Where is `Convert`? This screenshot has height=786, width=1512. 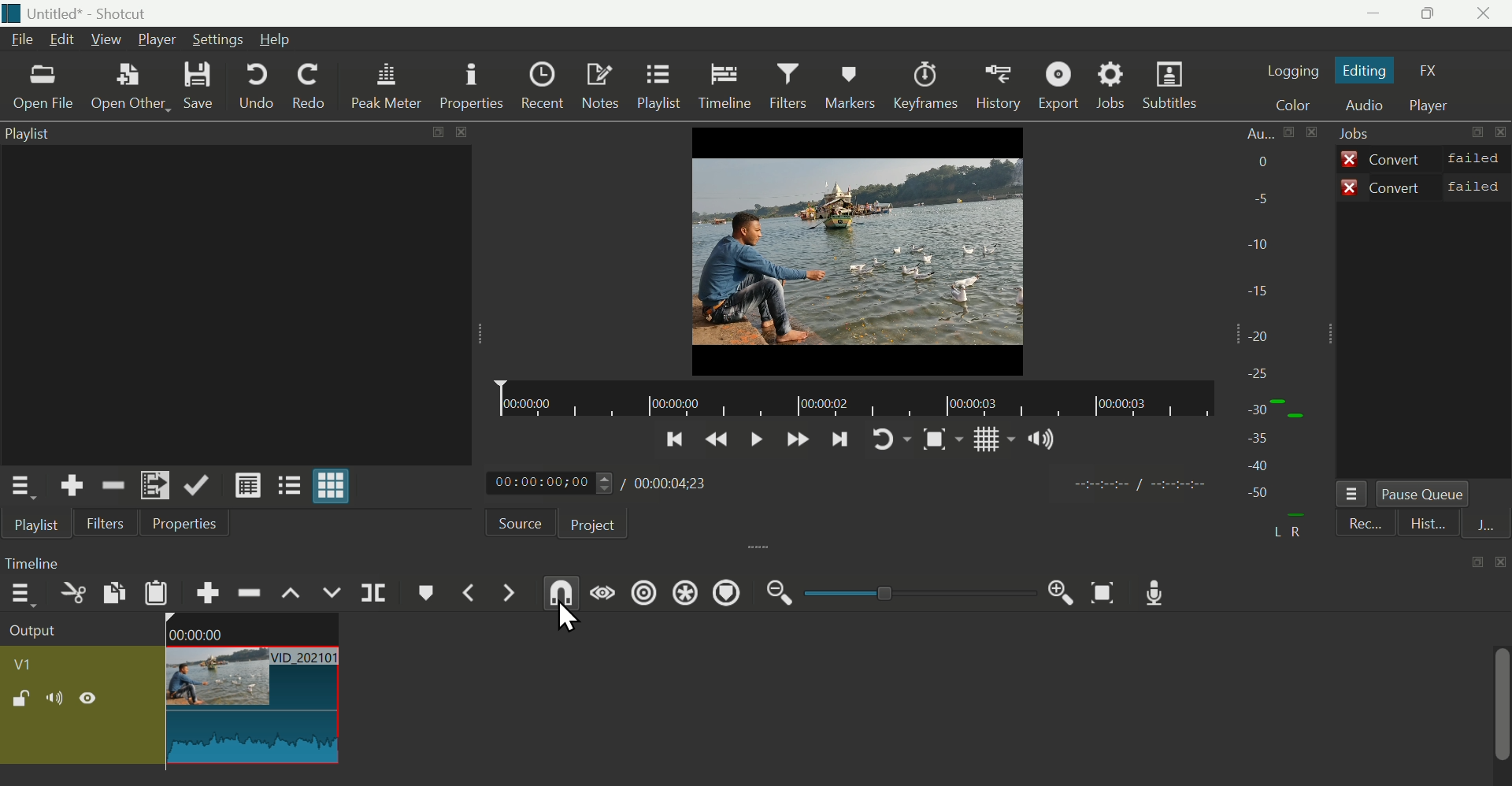 Convert is located at coordinates (1423, 158).